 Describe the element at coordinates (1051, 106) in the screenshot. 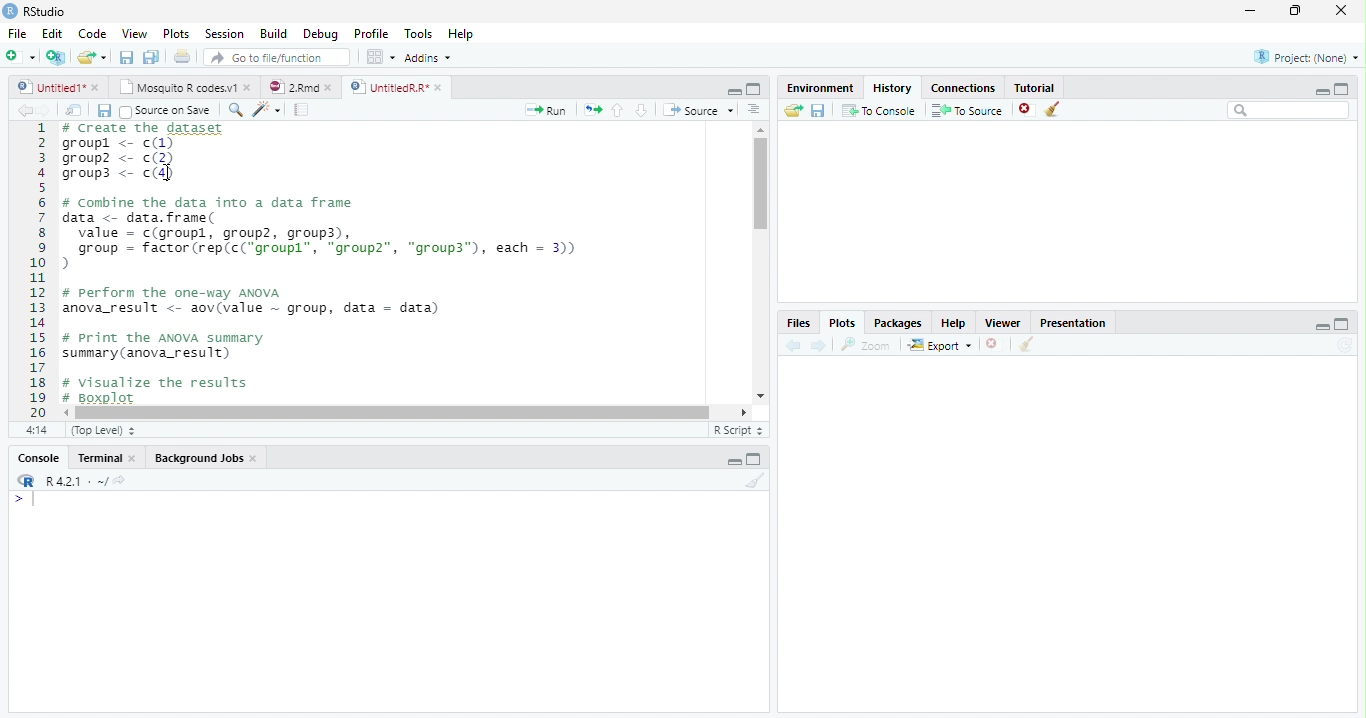

I see `Clear objects from the workspace` at that location.